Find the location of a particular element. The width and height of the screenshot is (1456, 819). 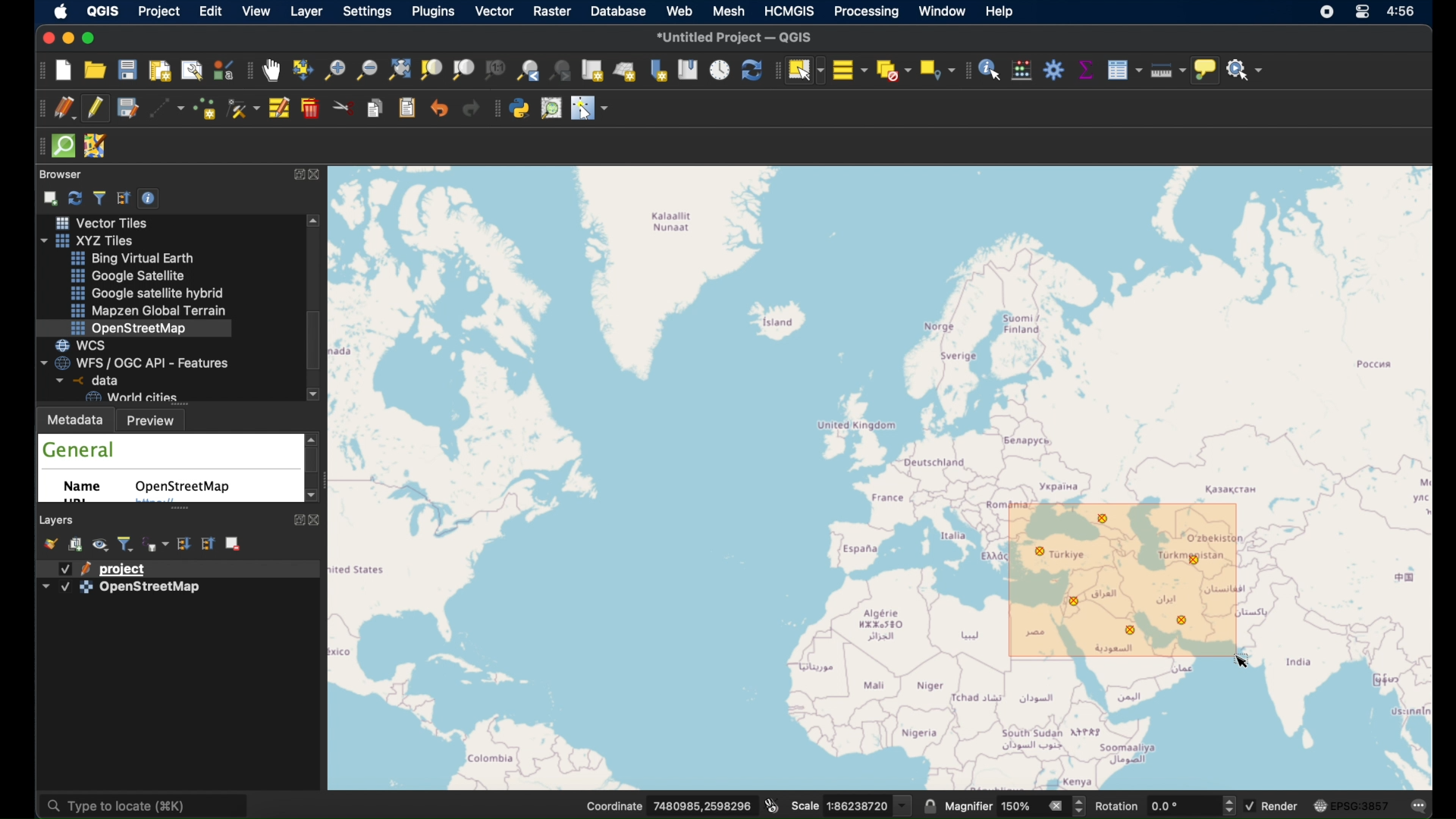

processing is located at coordinates (867, 12).